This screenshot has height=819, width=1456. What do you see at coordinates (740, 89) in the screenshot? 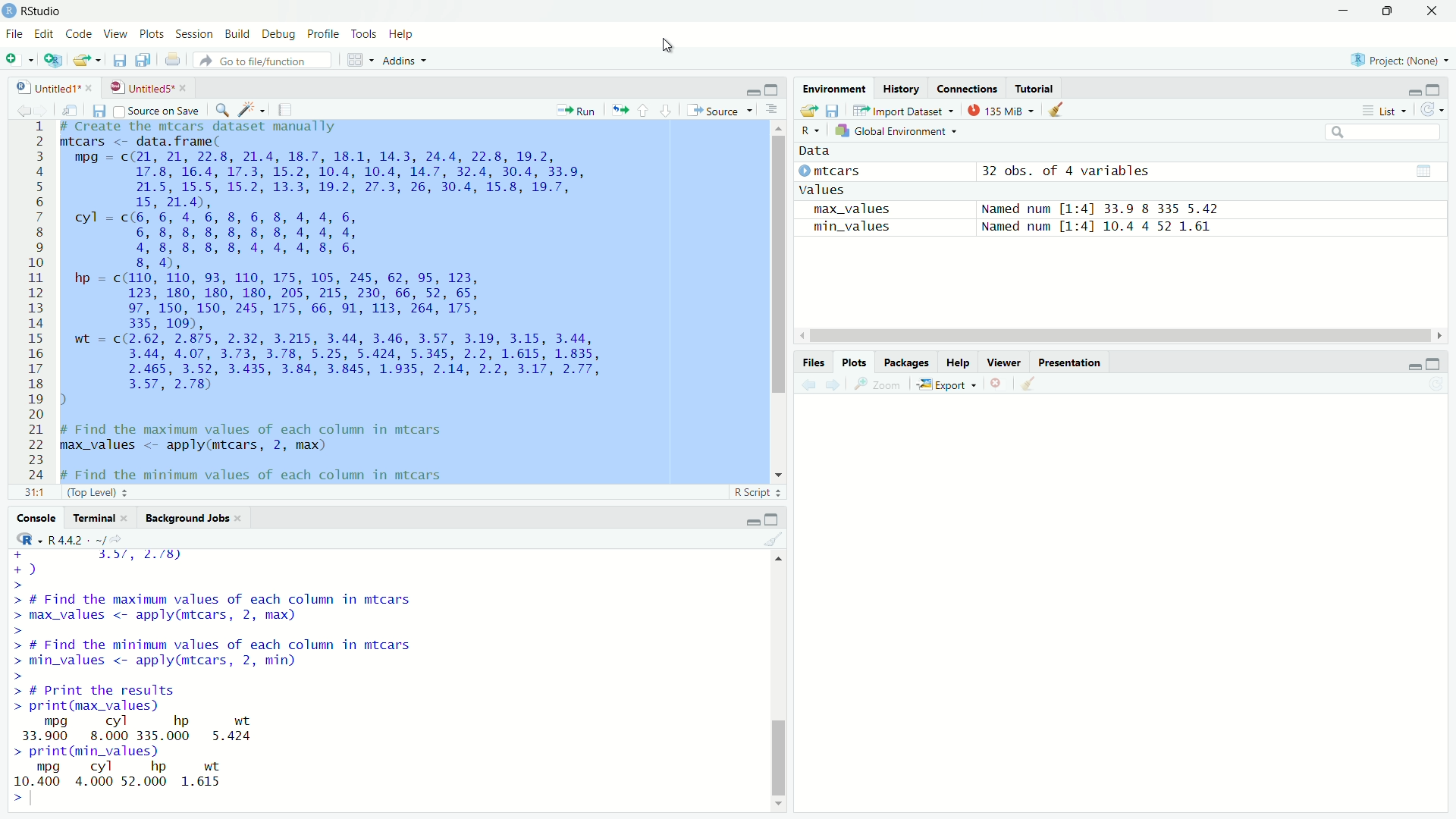
I see `minimise` at bounding box center [740, 89].